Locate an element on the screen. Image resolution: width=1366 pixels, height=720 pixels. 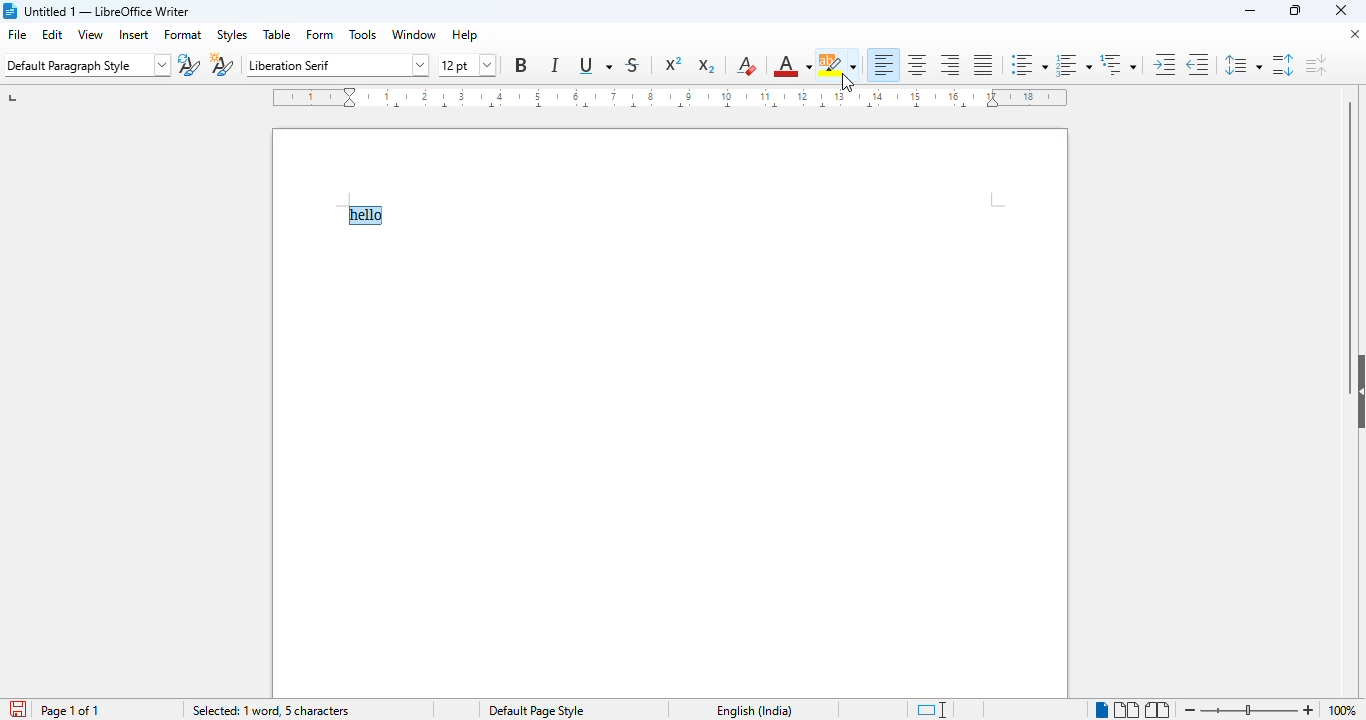
untitled 1 — LibreOffice Writer is located at coordinates (110, 12).